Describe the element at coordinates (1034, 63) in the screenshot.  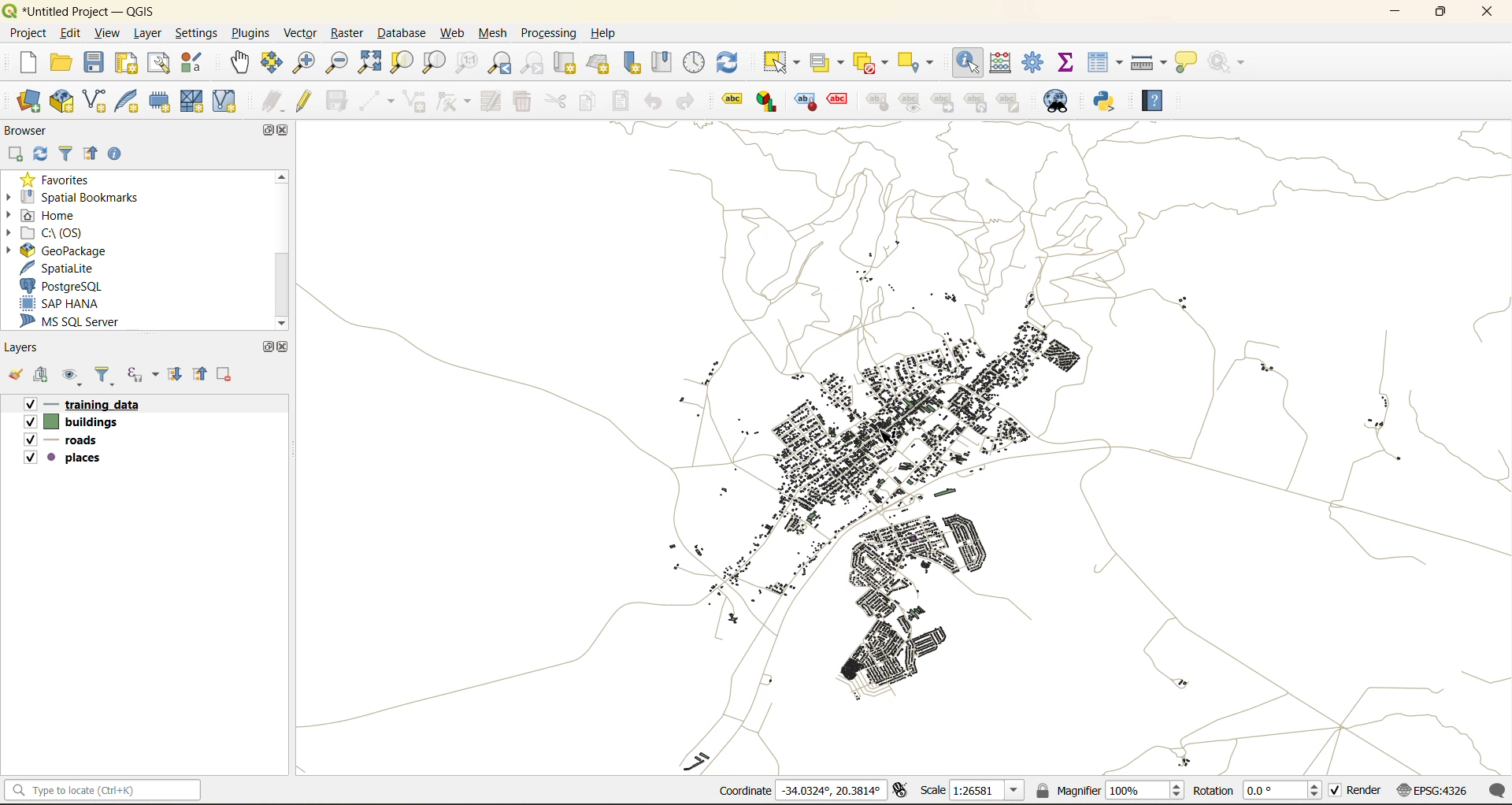
I see `control panel` at that location.